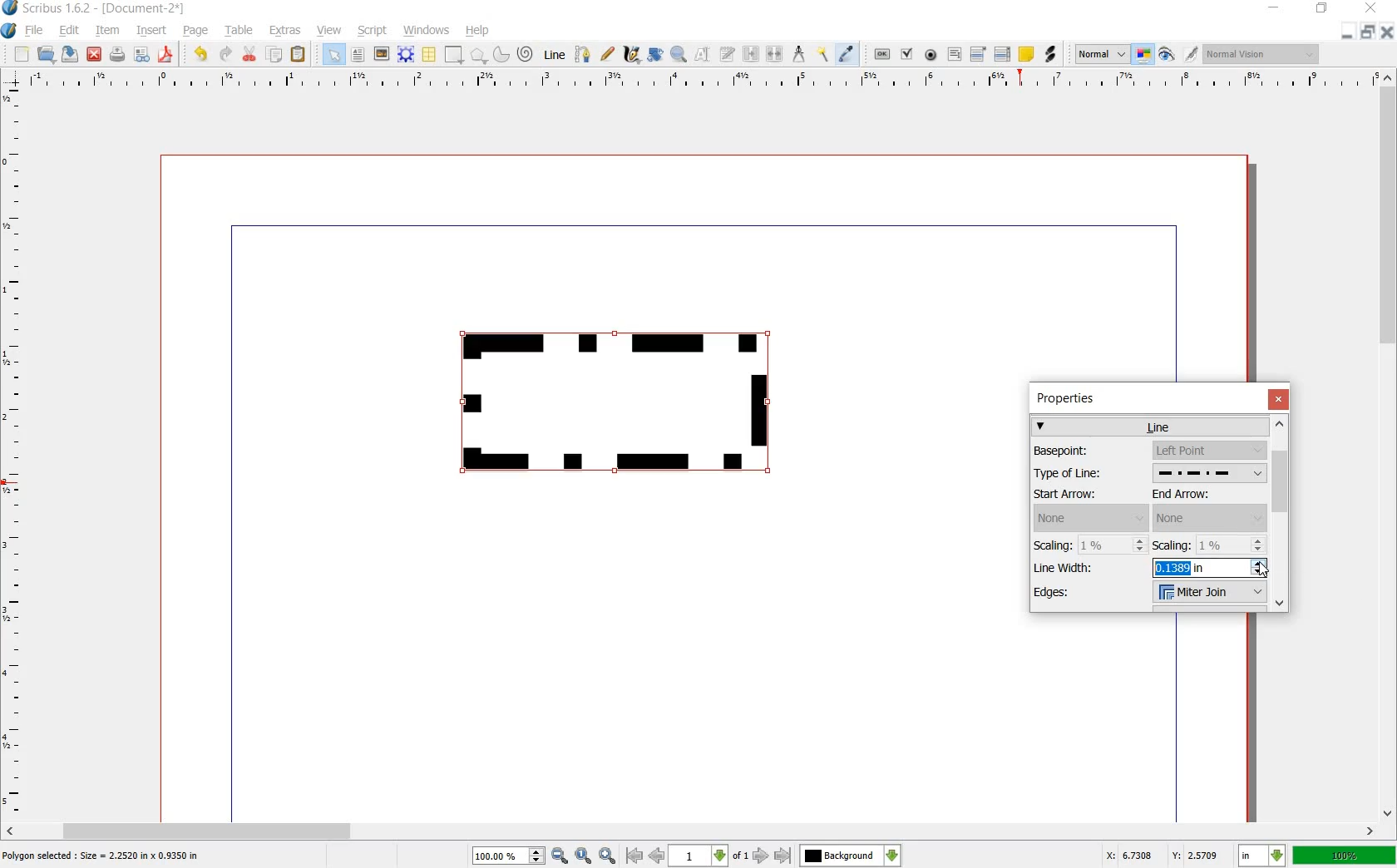  Describe the element at coordinates (14, 452) in the screenshot. I see `RULER` at that location.